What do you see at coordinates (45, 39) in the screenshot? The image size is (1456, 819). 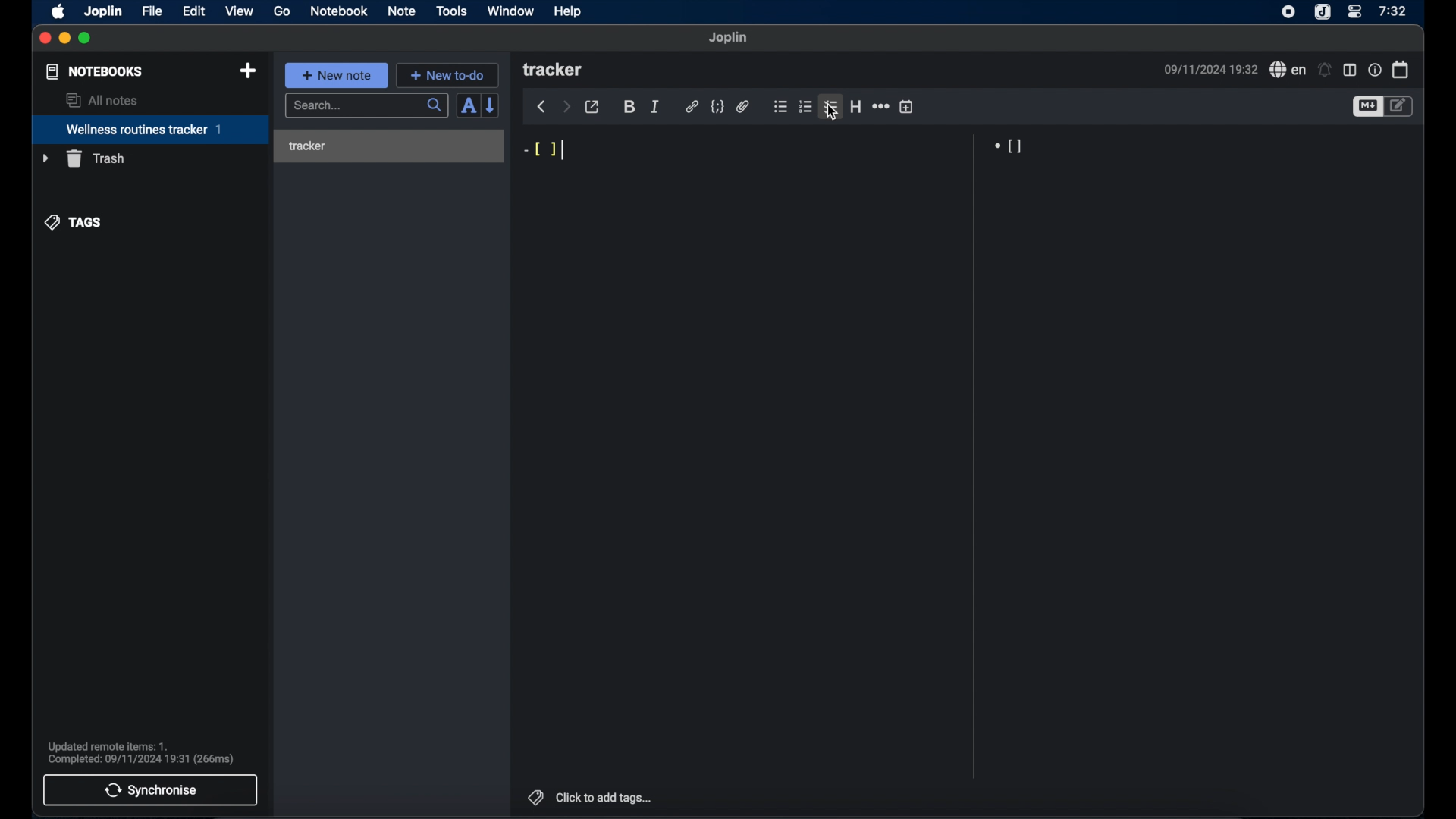 I see `close` at bounding box center [45, 39].